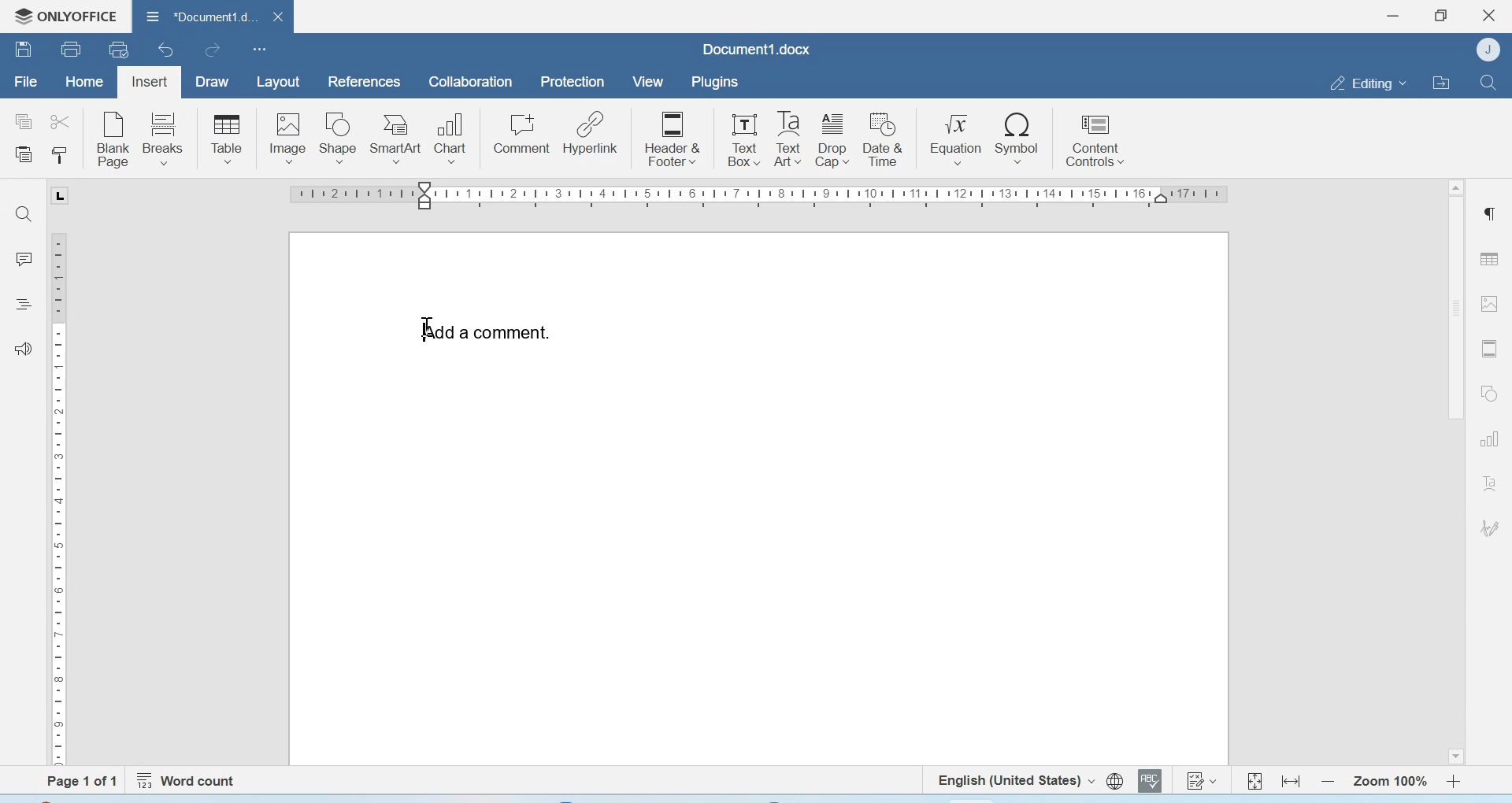  Describe the element at coordinates (471, 82) in the screenshot. I see `Collaboration` at that location.